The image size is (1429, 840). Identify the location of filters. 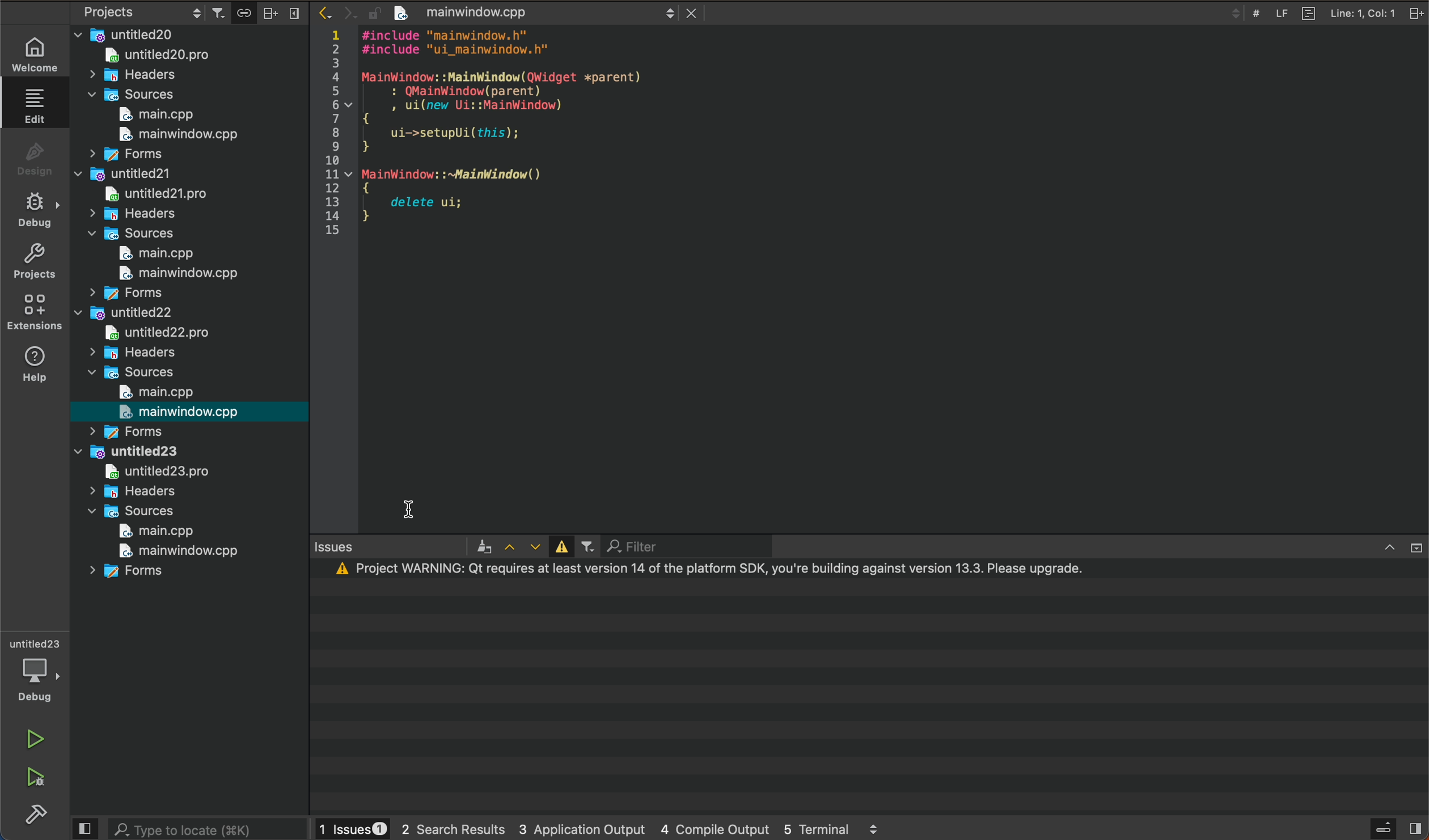
(221, 12).